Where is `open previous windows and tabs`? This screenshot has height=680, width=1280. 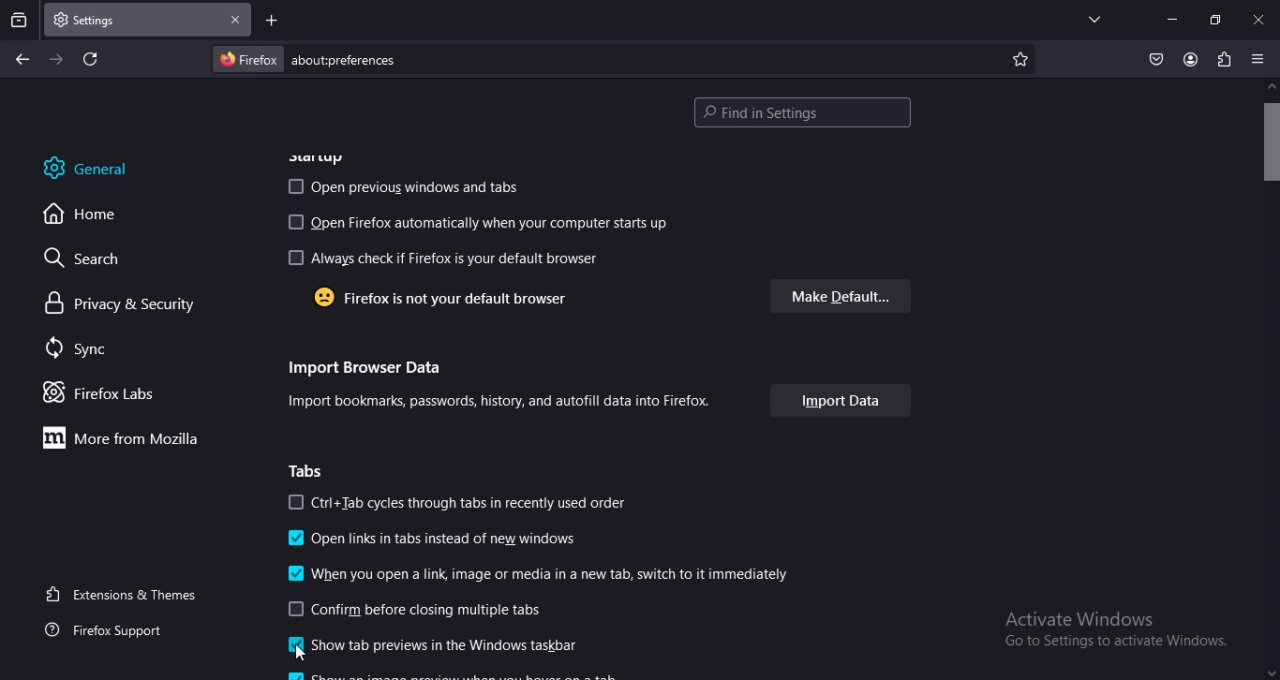
open previous windows and tabs is located at coordinates (404, 188).